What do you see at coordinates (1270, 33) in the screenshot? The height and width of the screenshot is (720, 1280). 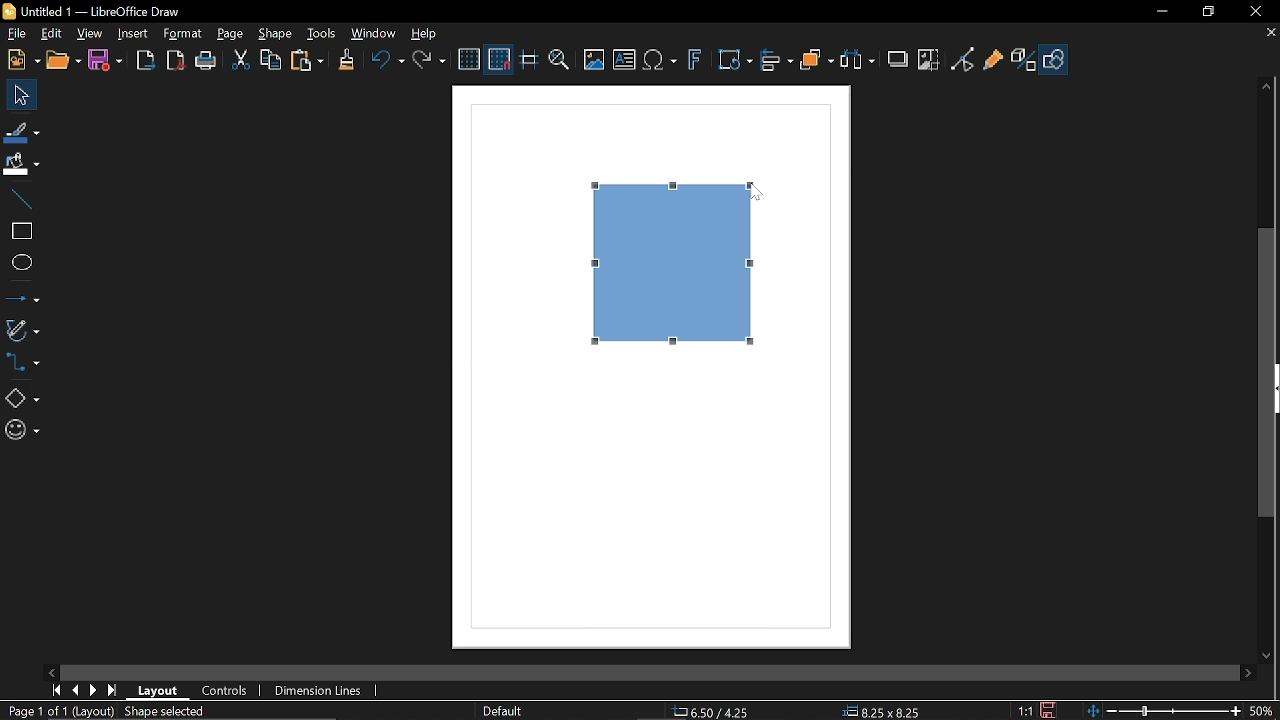 I see `Close current tab` at bounding box center [1270, 33].